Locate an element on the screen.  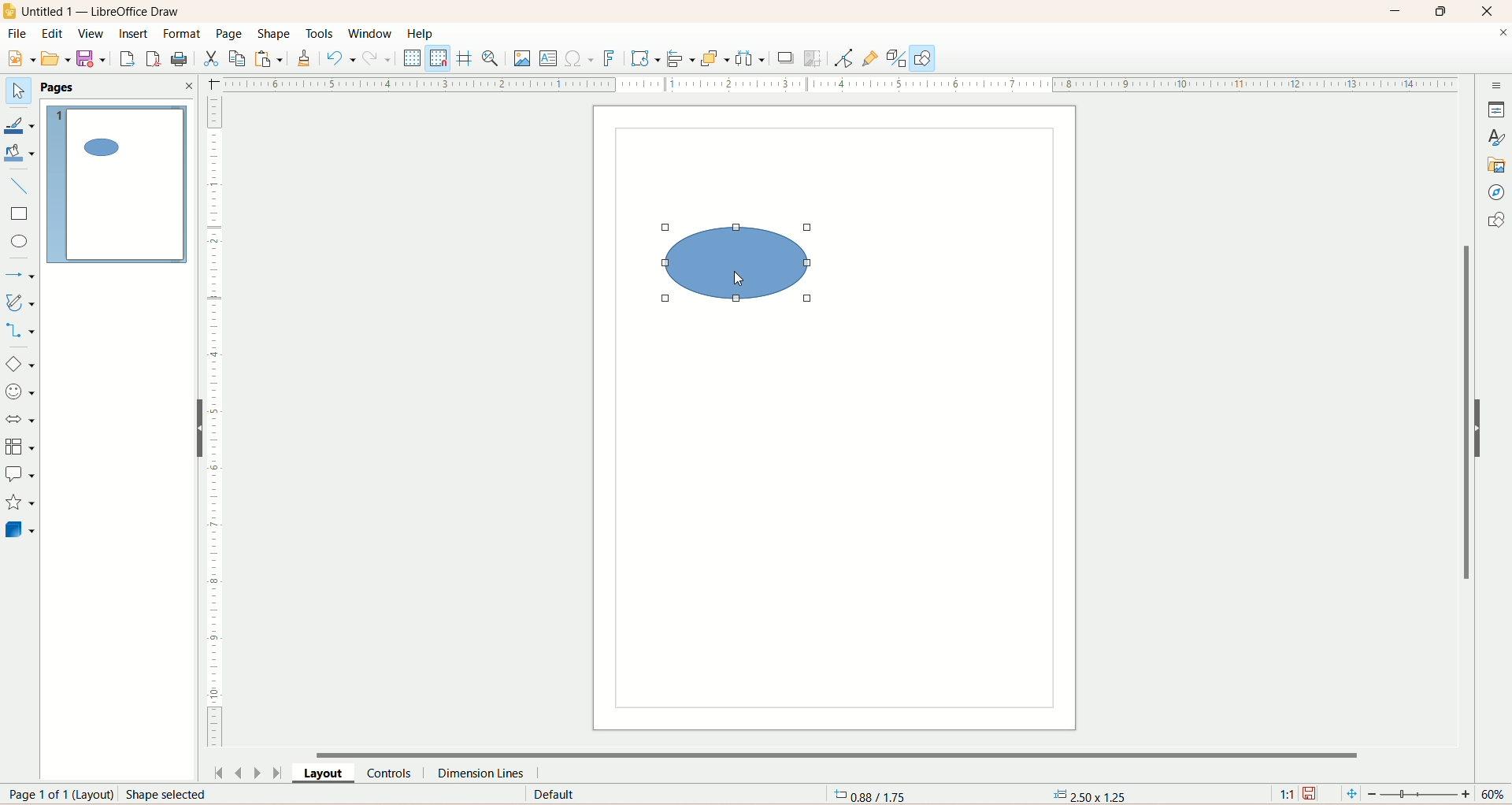
allign is located at coordinates (679, 61).